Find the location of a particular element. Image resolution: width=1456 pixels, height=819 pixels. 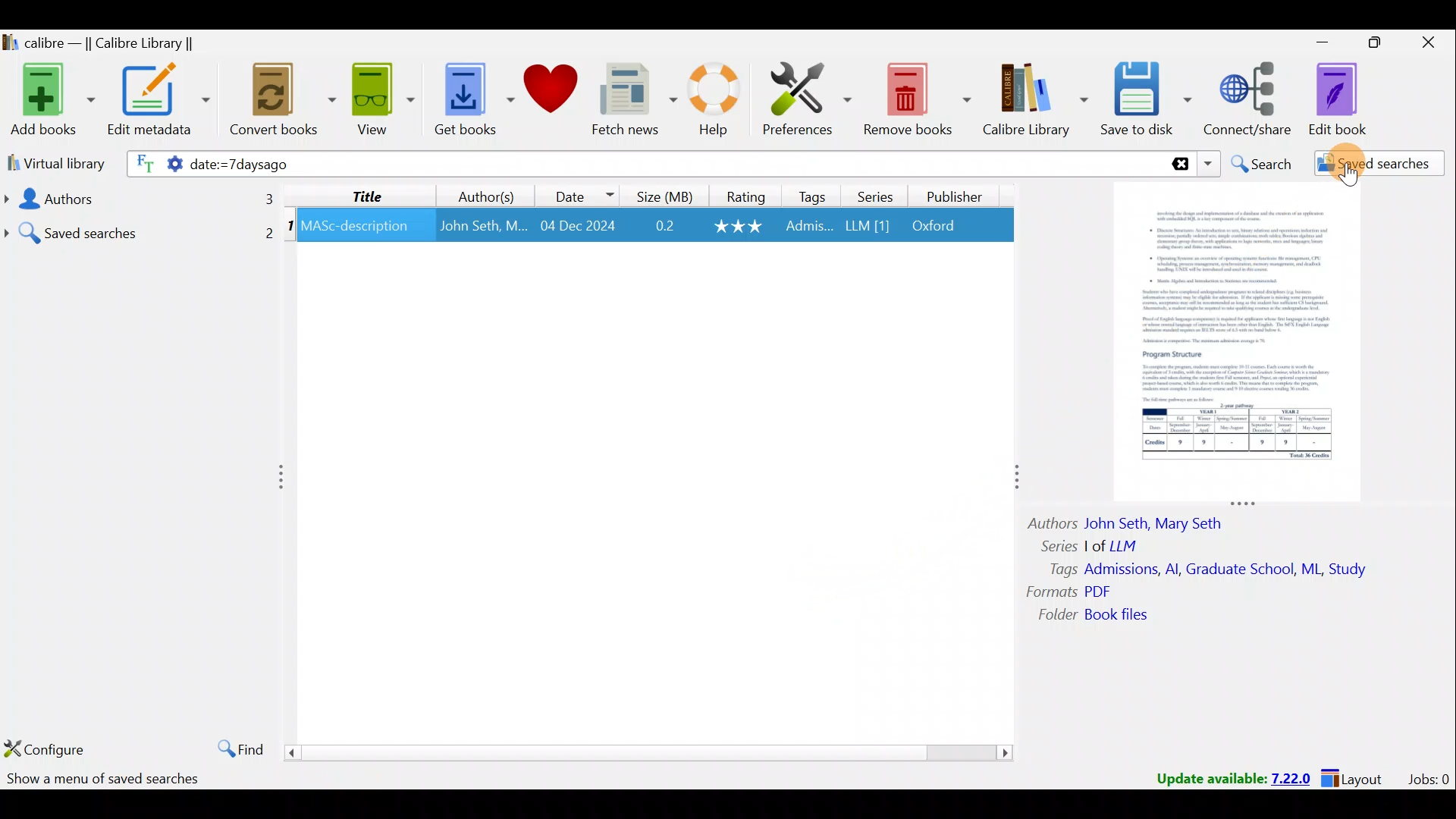

Get books is located at coordinates (468, 97).